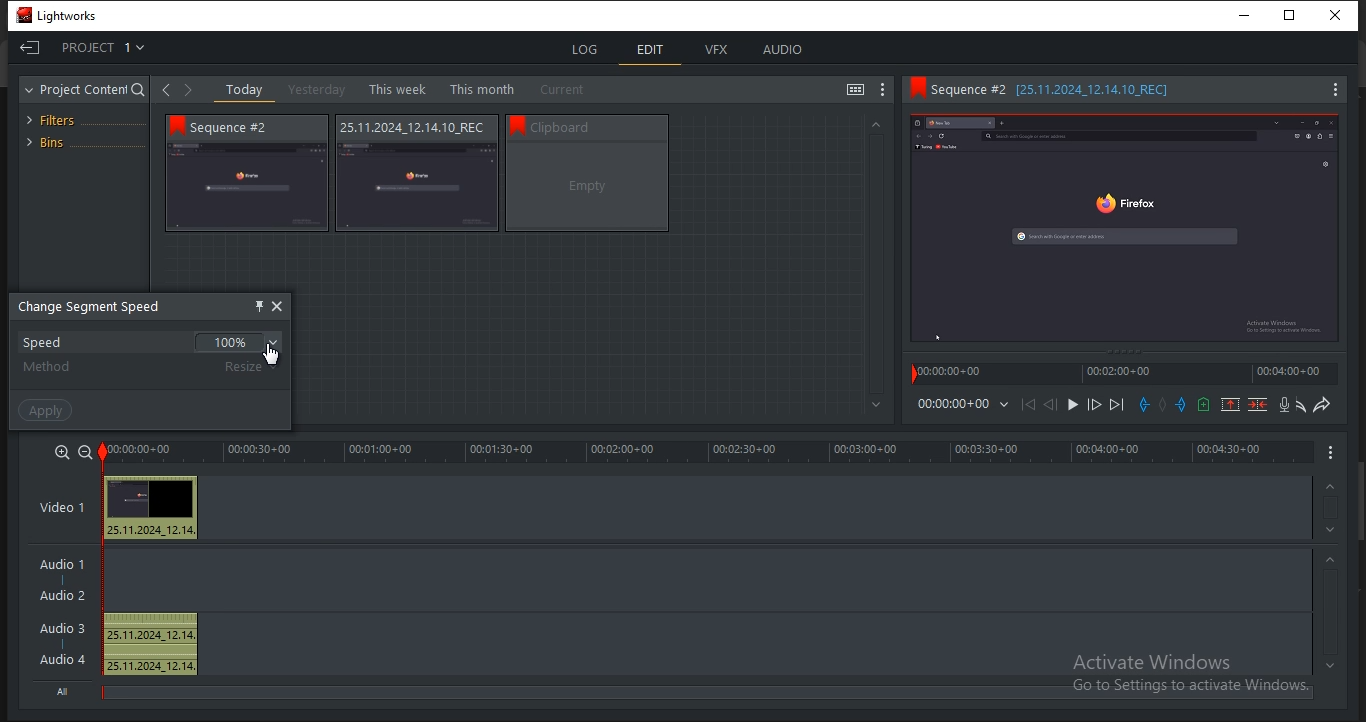  What do you see at coordinates (60, 118) in the screenshot?
I see `filters` at bounding box center [60, 118].